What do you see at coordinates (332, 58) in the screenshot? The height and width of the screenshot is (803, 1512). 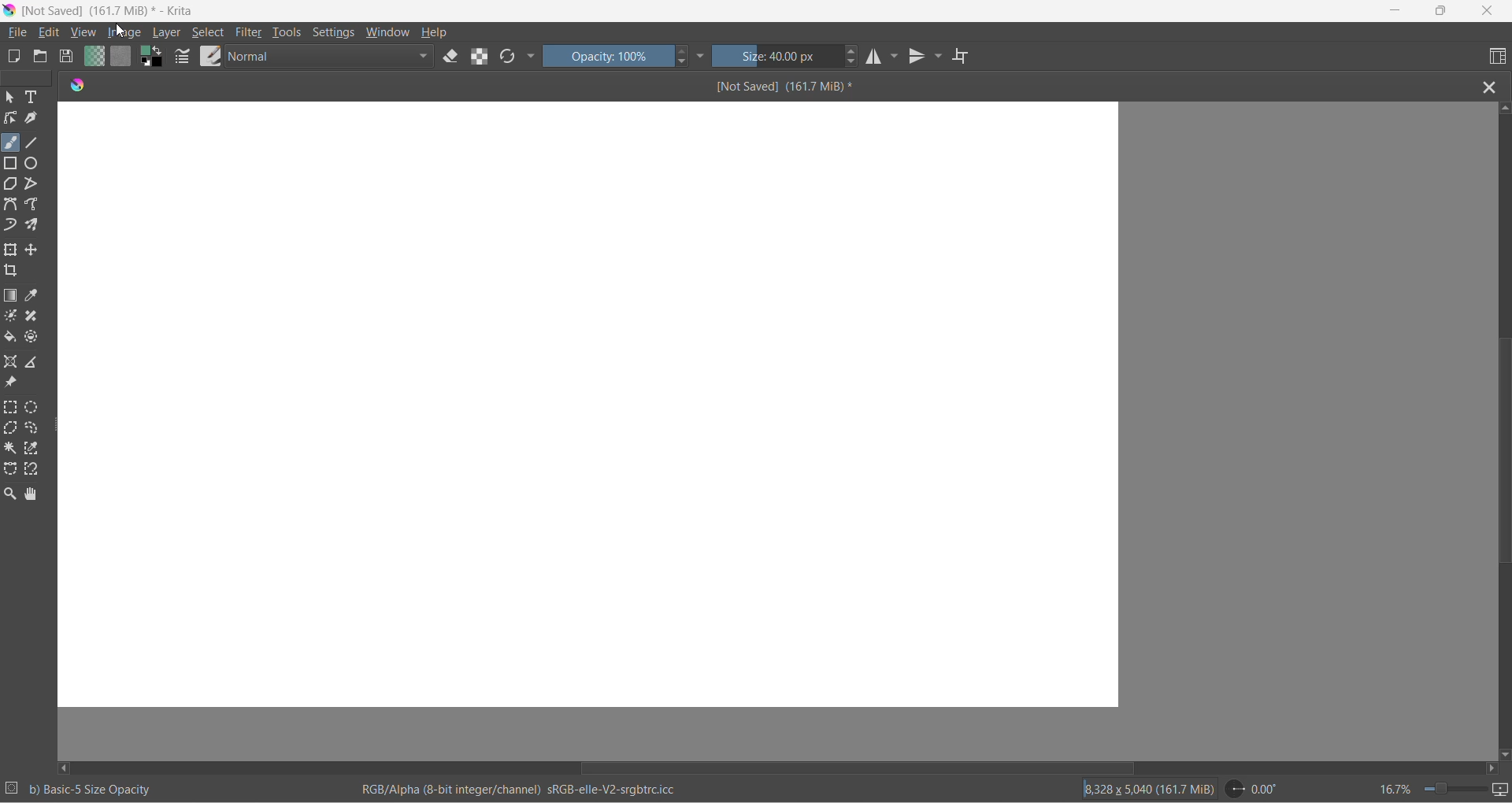 I see `blenders mode` at bounding box center [332, 58].